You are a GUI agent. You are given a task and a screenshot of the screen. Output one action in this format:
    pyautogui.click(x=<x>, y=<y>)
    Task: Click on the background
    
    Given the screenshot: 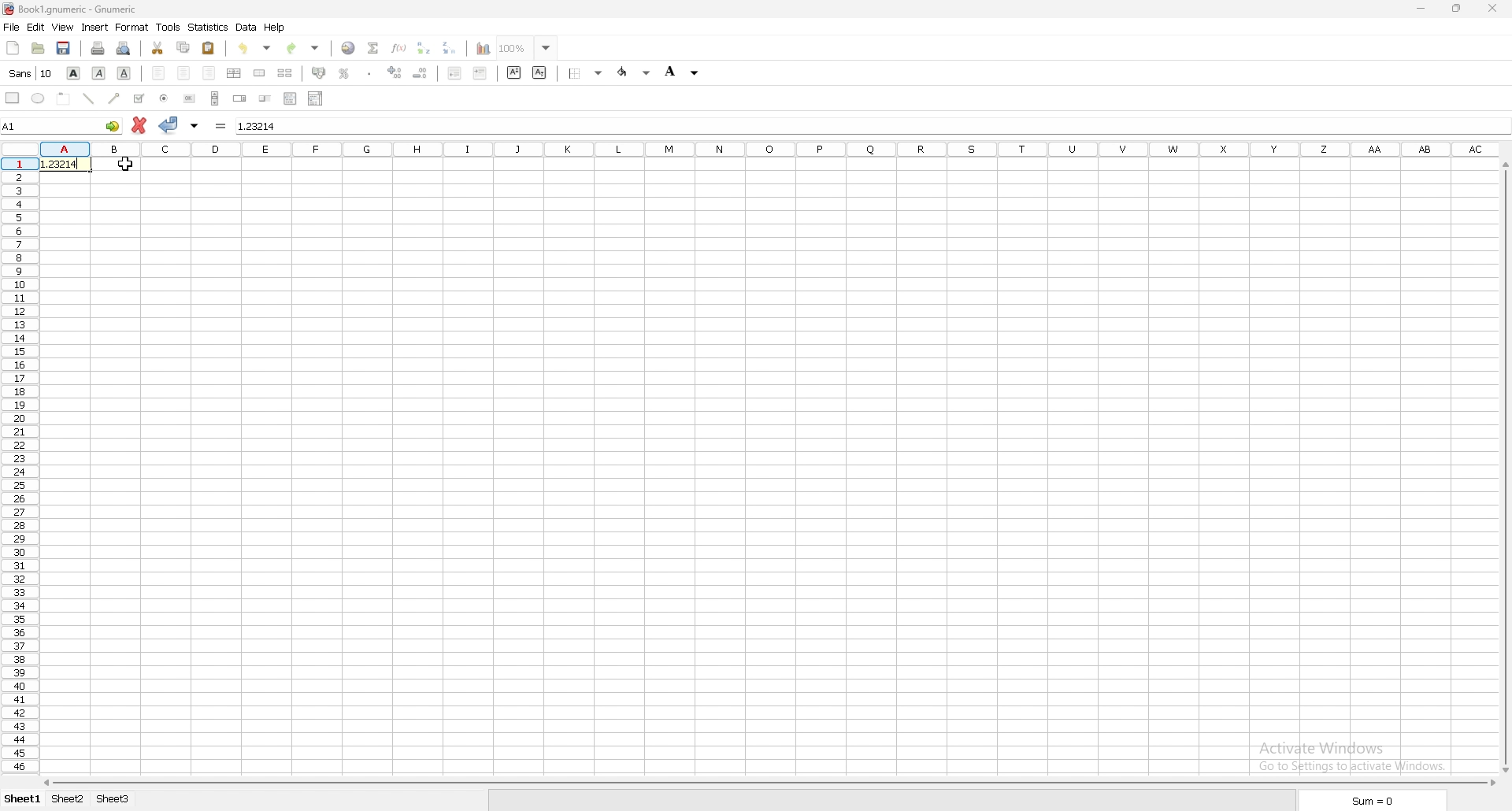 What is the action you would take?
    pyautogui.click(x=686, y=72)
    